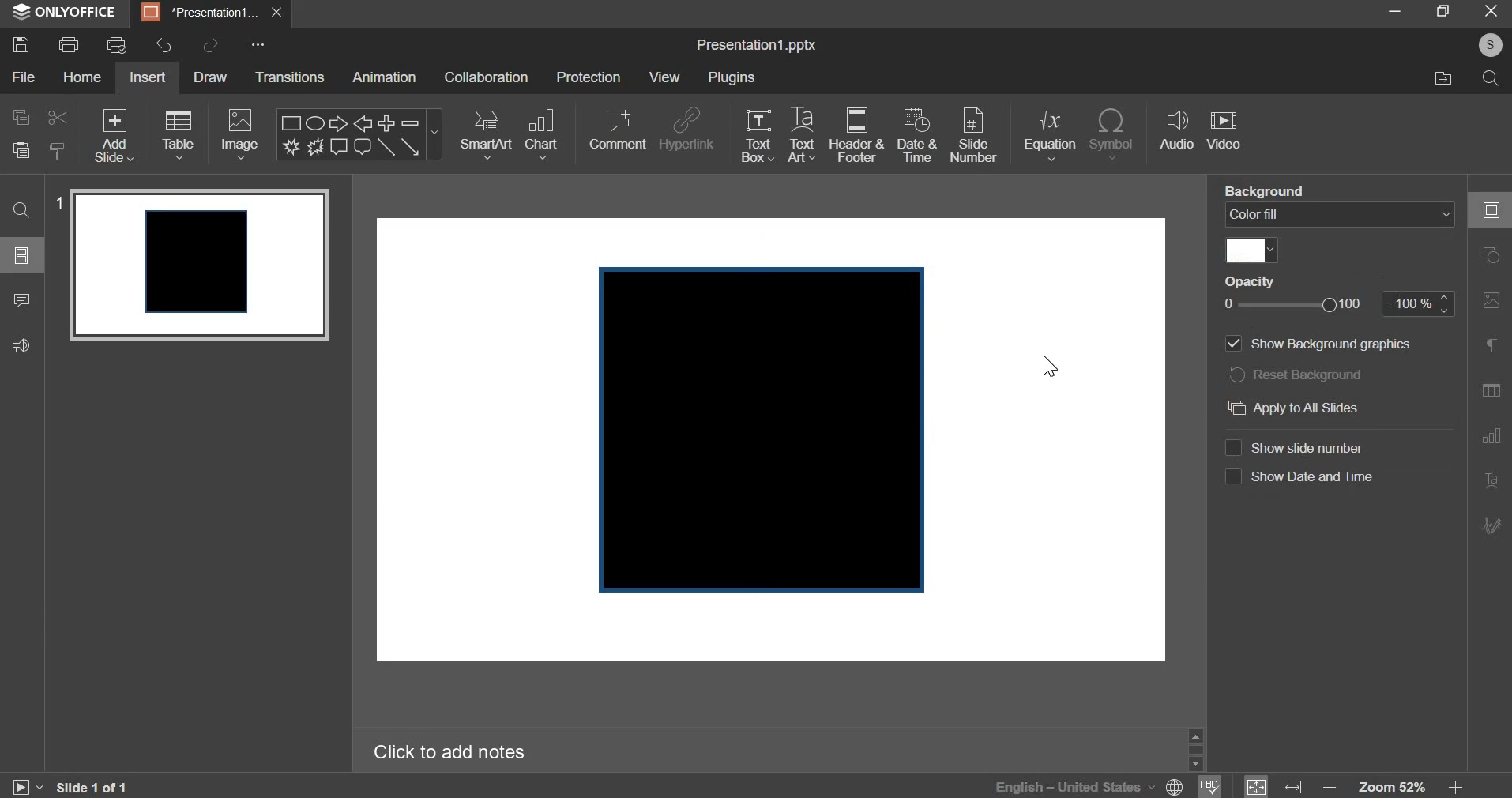 Image resolution: width=1512 pixels, height=798 pixels. I want to click on presentation, so click(211, 13).